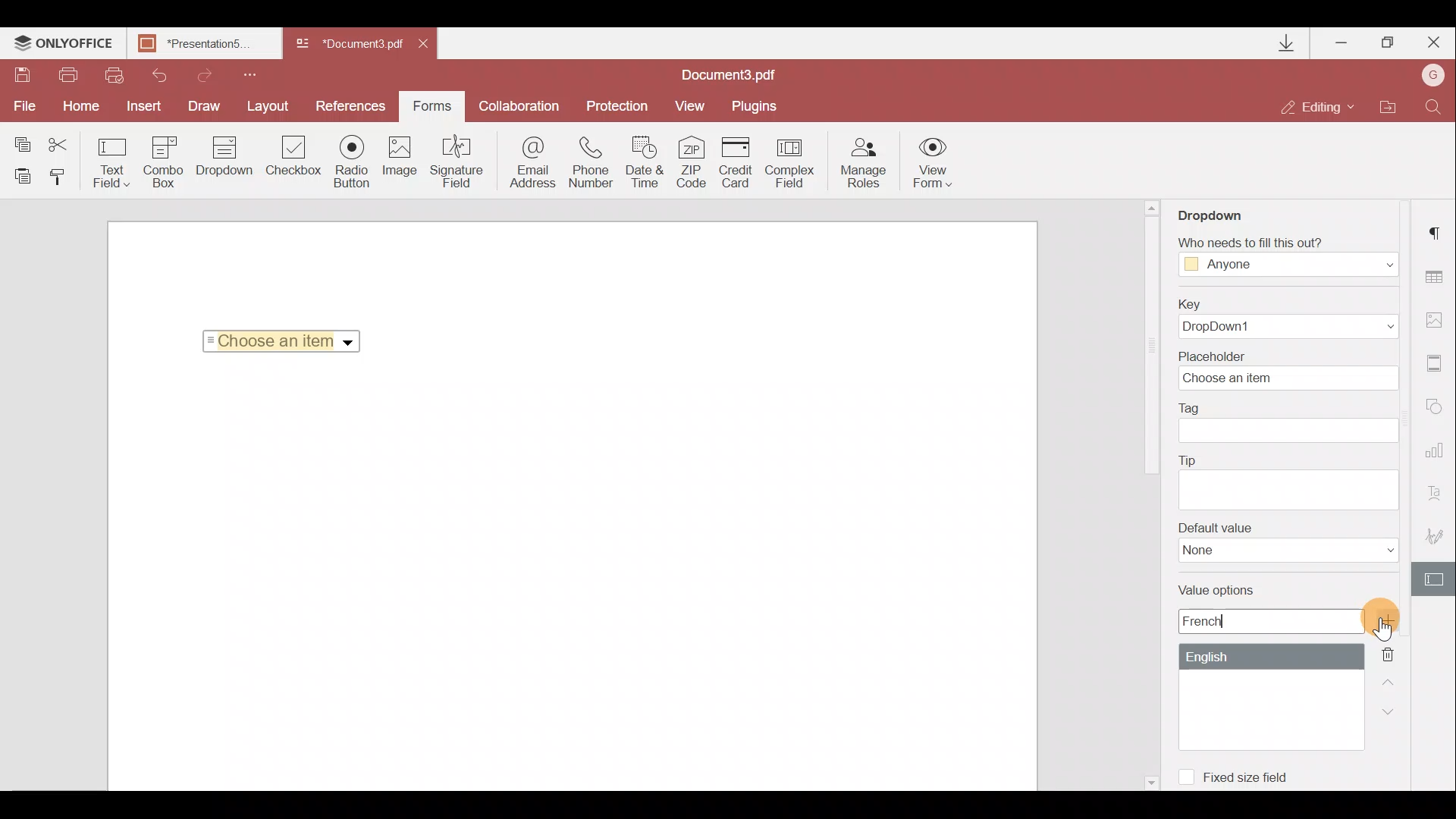 The width and height of the screenshot is (1456, 819). Describe the element at coordinates (593, 163) in the screenshot. I see `Phone number` at that location.